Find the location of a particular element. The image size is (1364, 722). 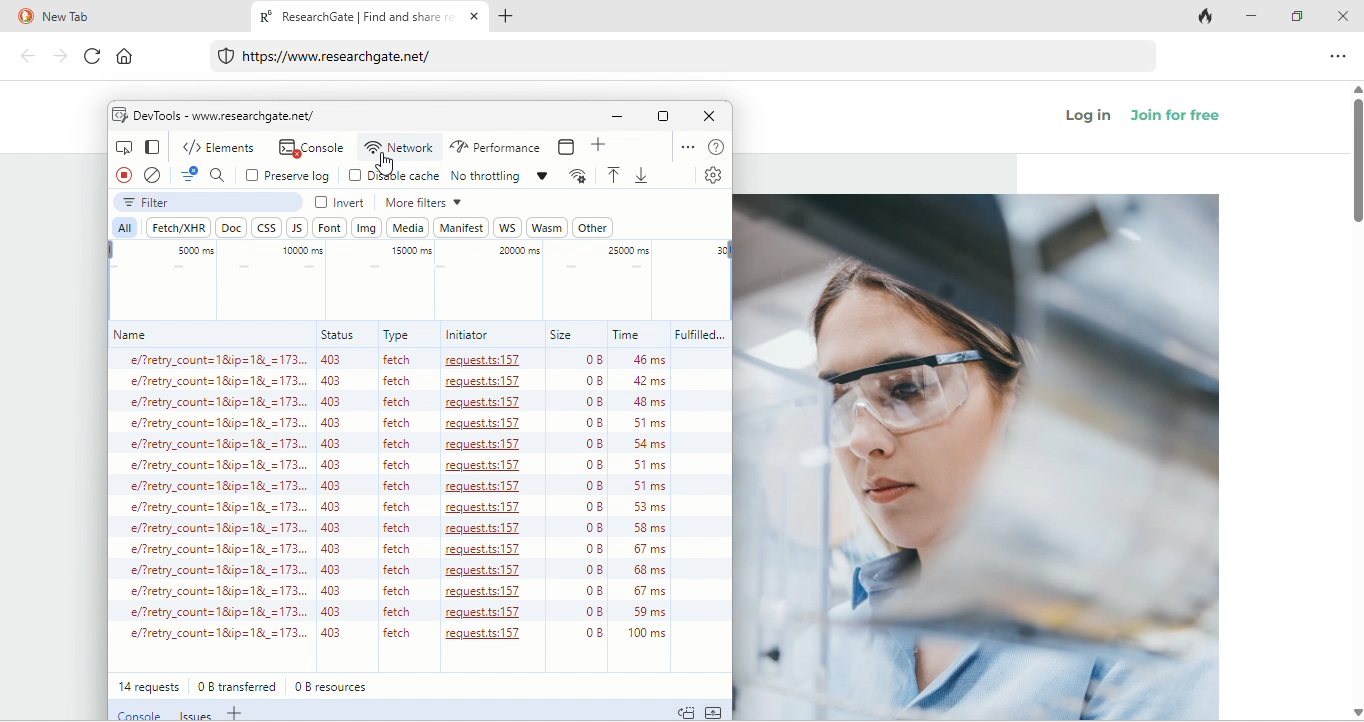

back is located at coordinates (28, 58).